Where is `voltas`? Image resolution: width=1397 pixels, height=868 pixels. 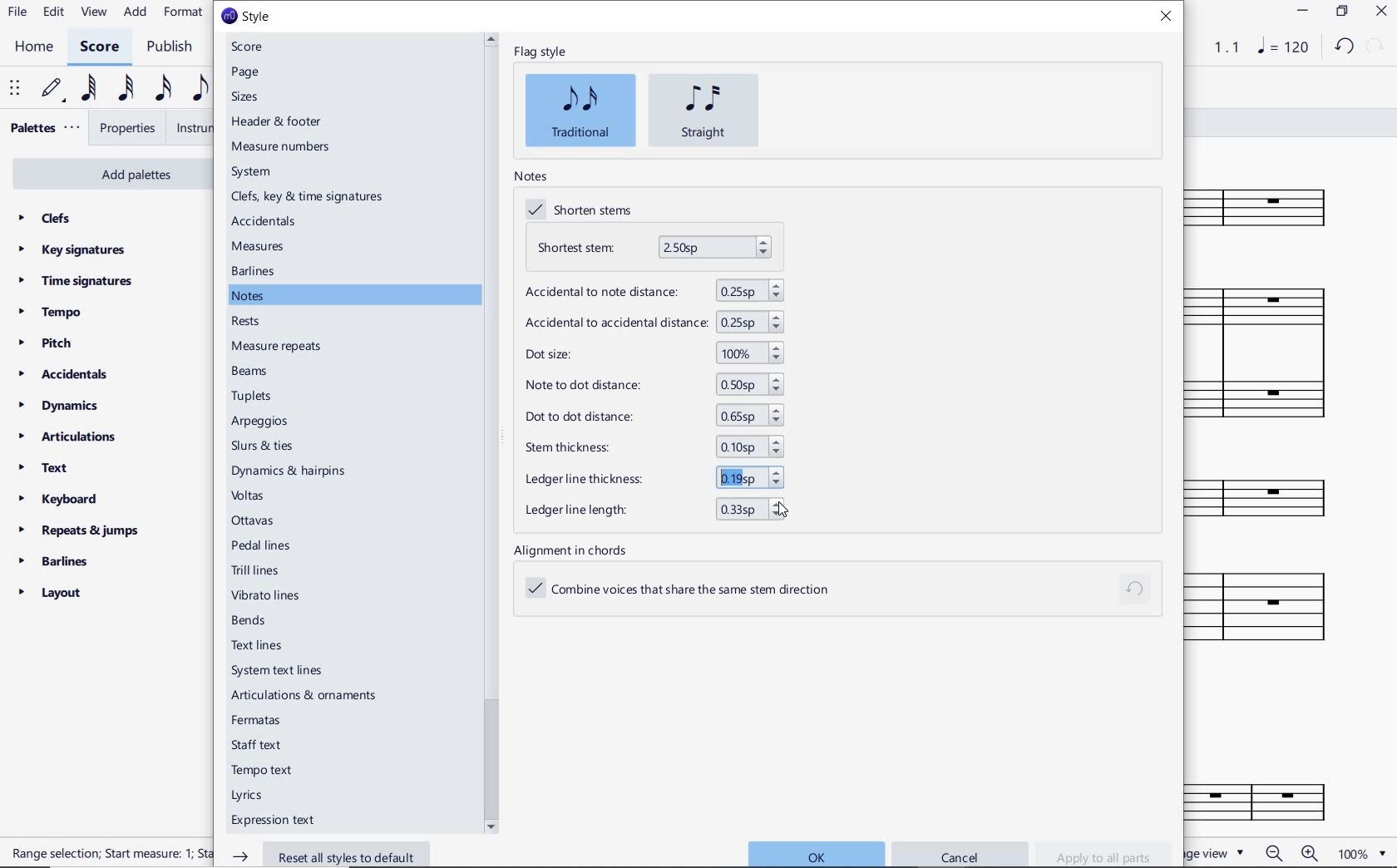 voltas is located at coordinates (256, 496).